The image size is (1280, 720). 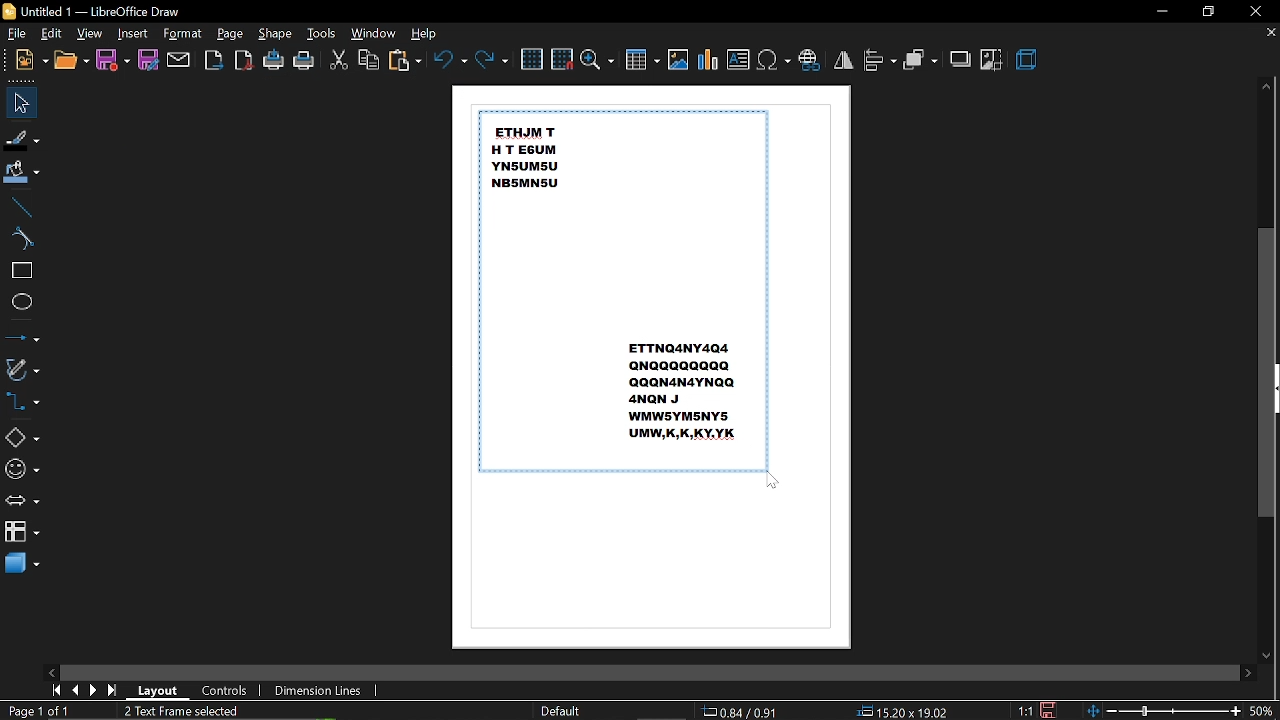 What do you see at coordinates (21, 103) in the screenshot?
I see `select` at bounding box center [21, 103].